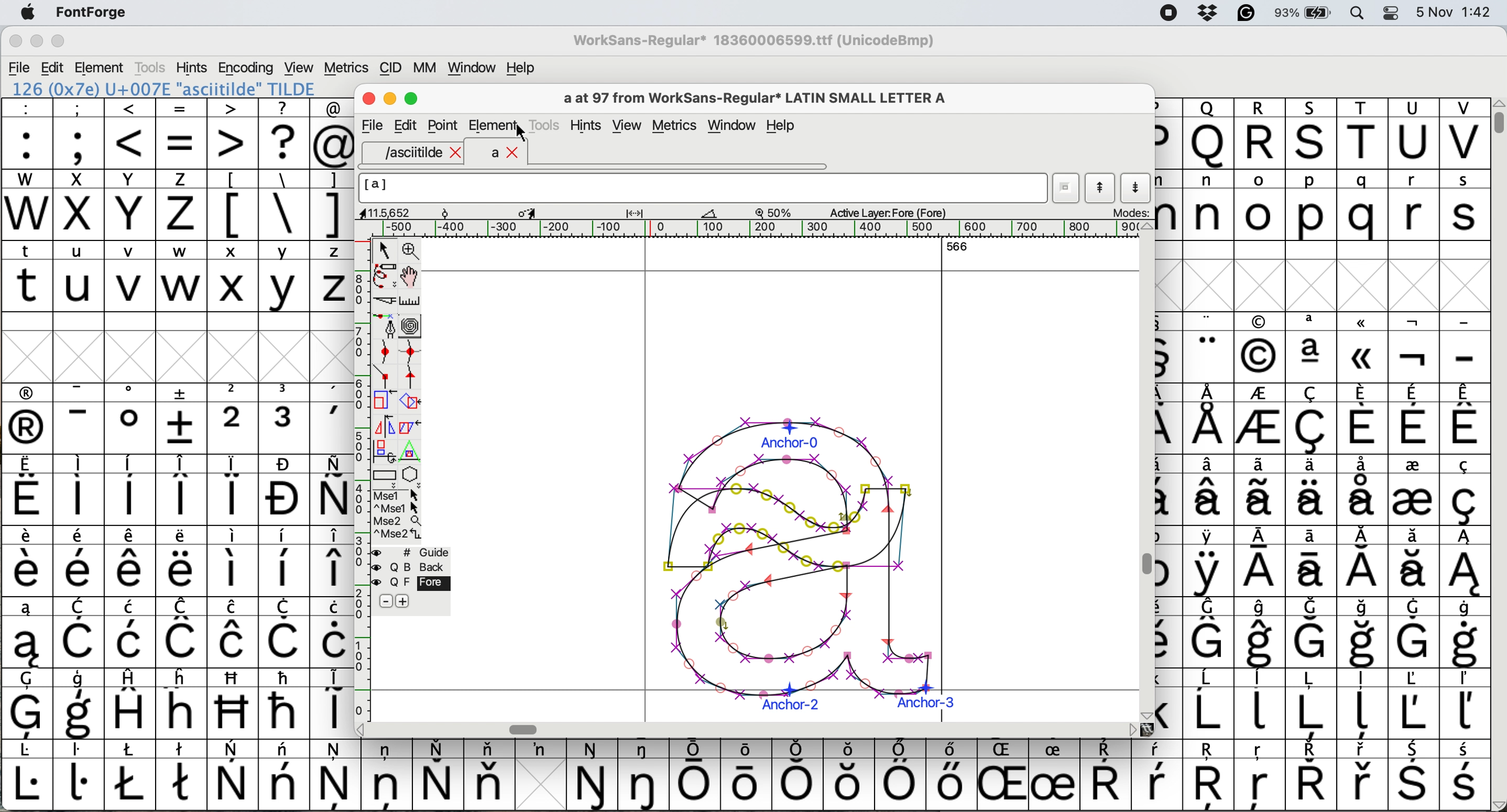 The height and width of the screenshot is (812, 1507). I want to click on Point, so click(444, 127).